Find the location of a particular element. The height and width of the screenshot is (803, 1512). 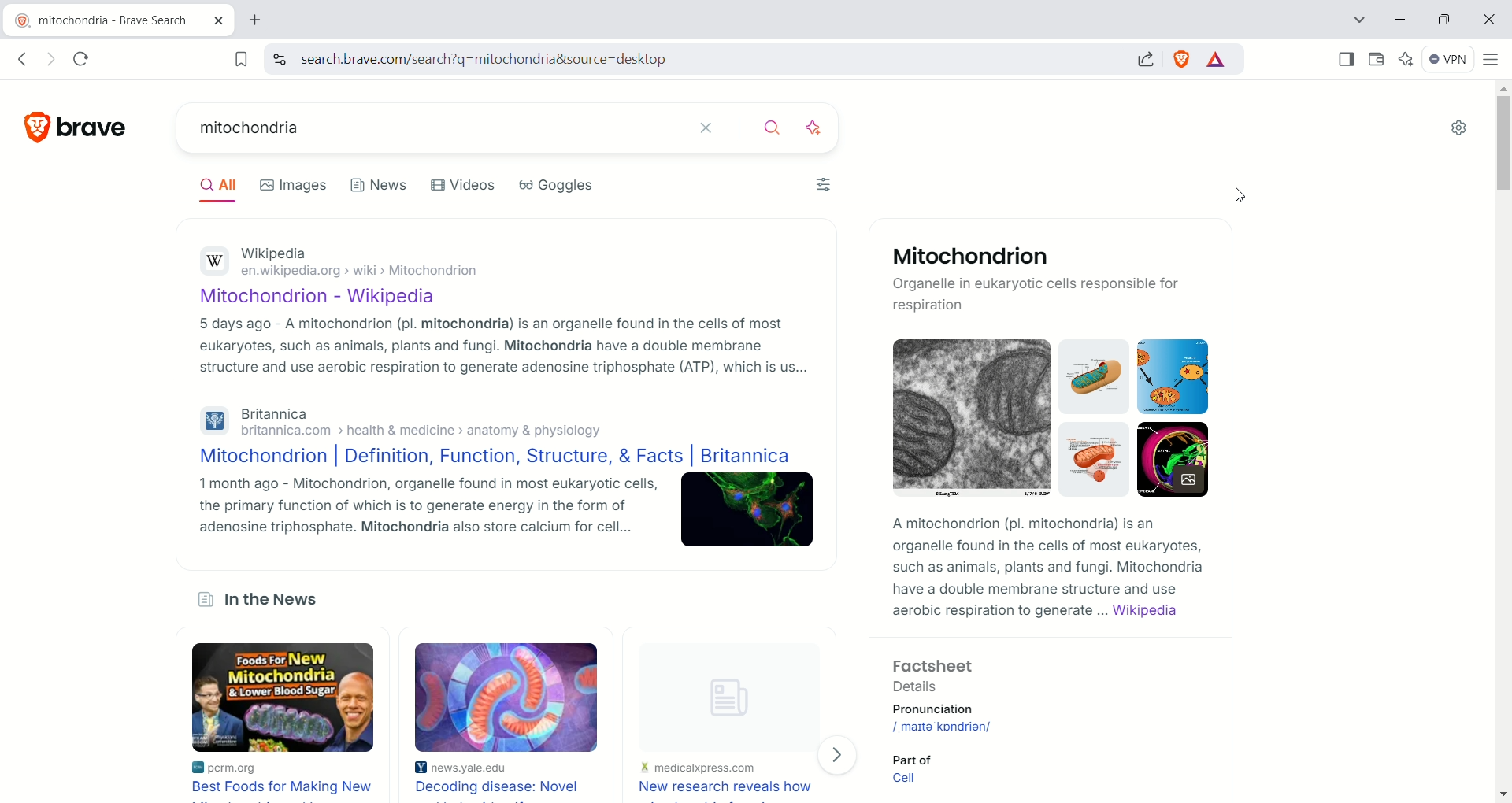

Decoding disease: Novel is located at coordinates (502, 787).